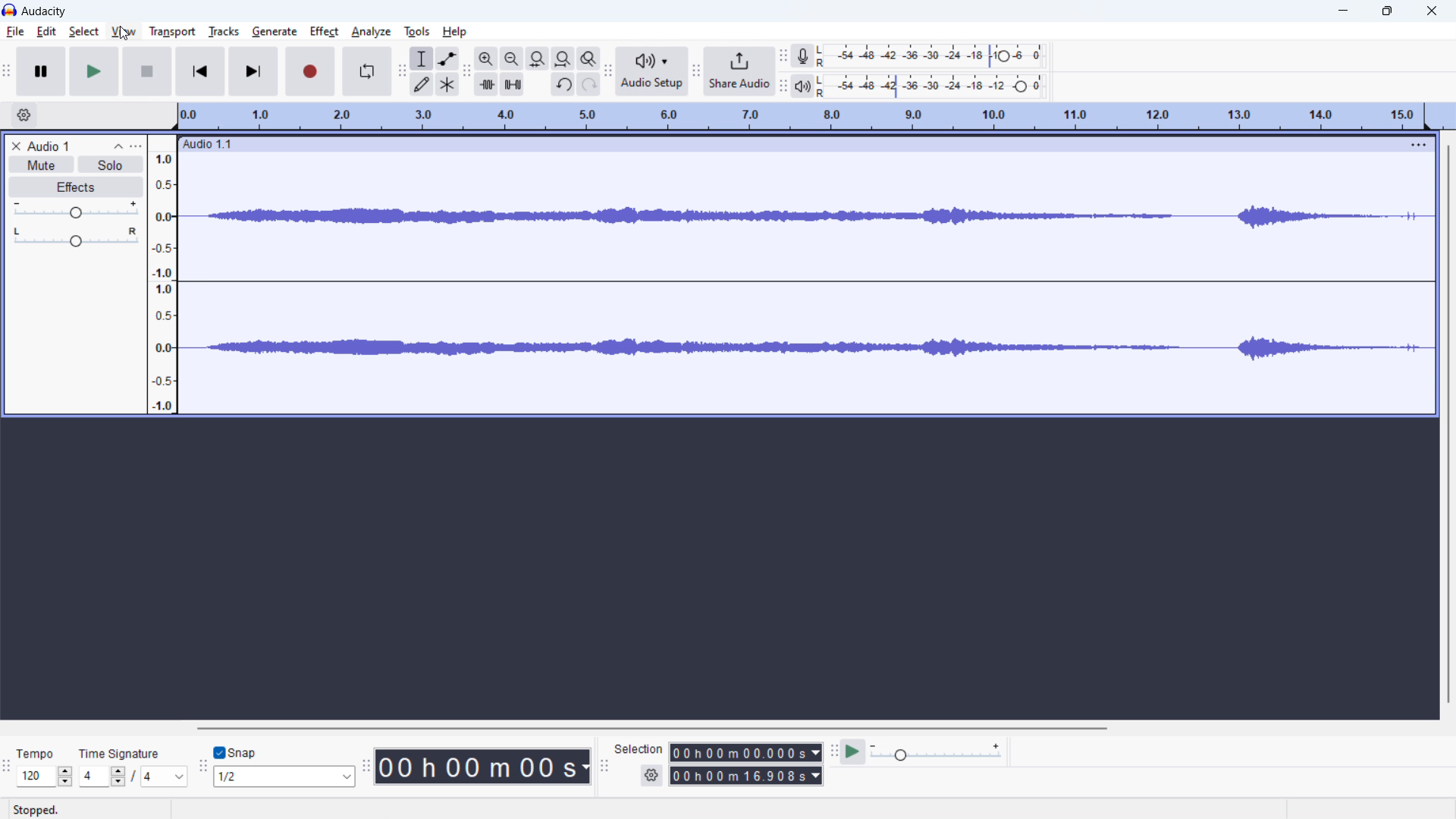  What do you see at coordinates (128, 749) in the screenshot?
I see `time signature` at bounding box center [128, 749].